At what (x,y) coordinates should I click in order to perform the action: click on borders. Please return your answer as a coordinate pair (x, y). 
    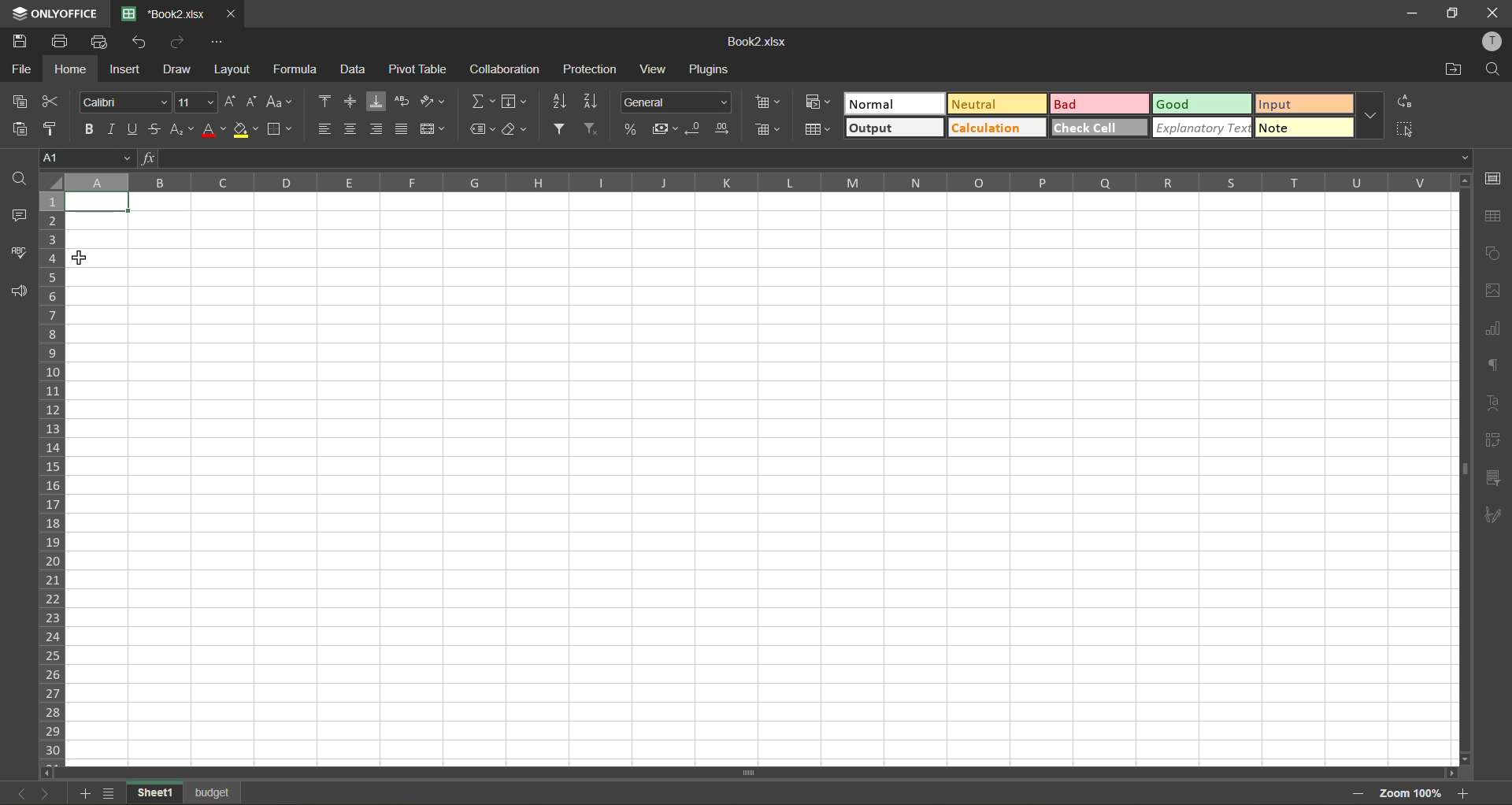
    Looking at the image, I should click on (284, 130).